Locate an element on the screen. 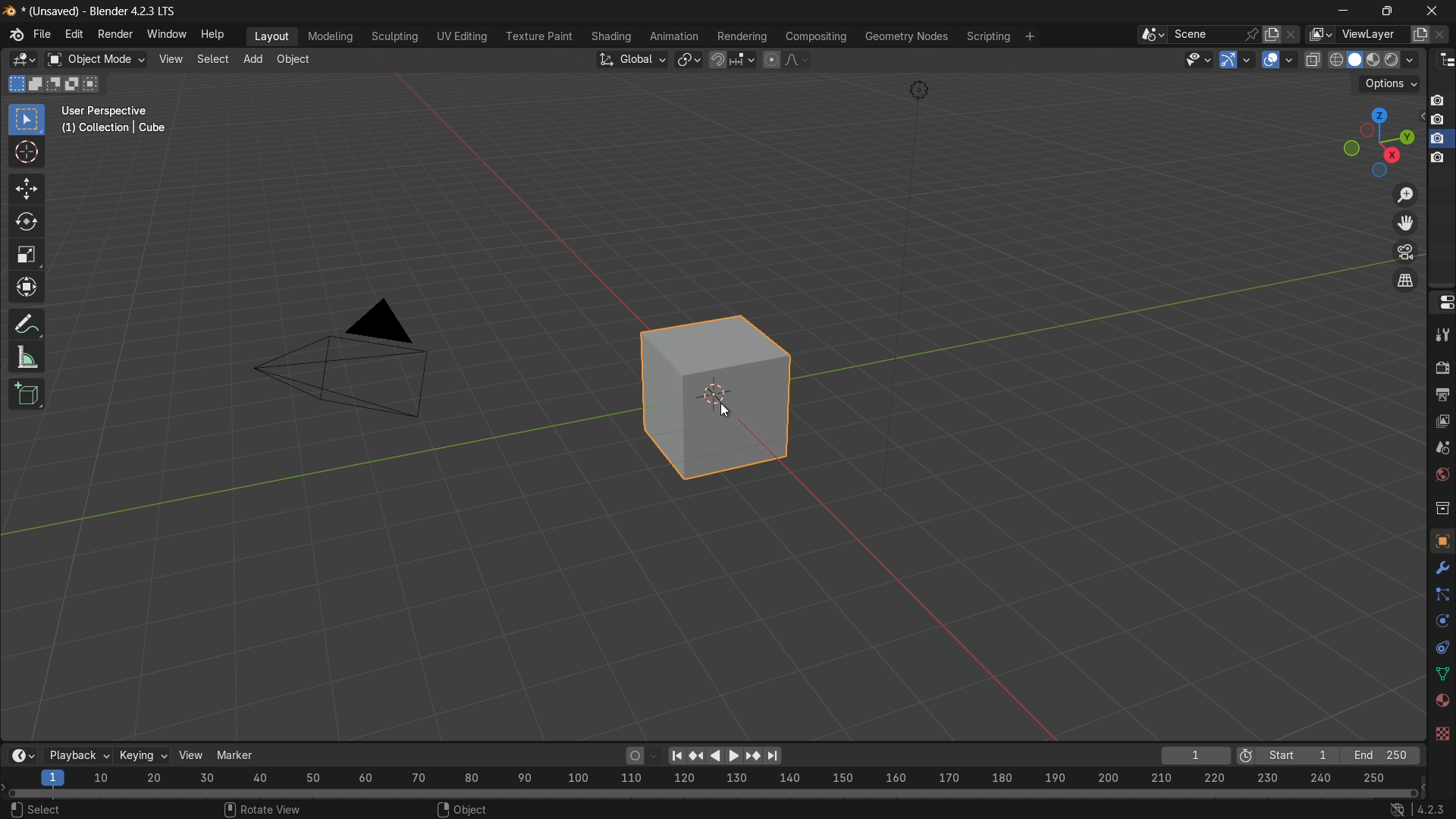 The image size is (1456, 819). overlay dropdown is located at coordinates (1292, 59).